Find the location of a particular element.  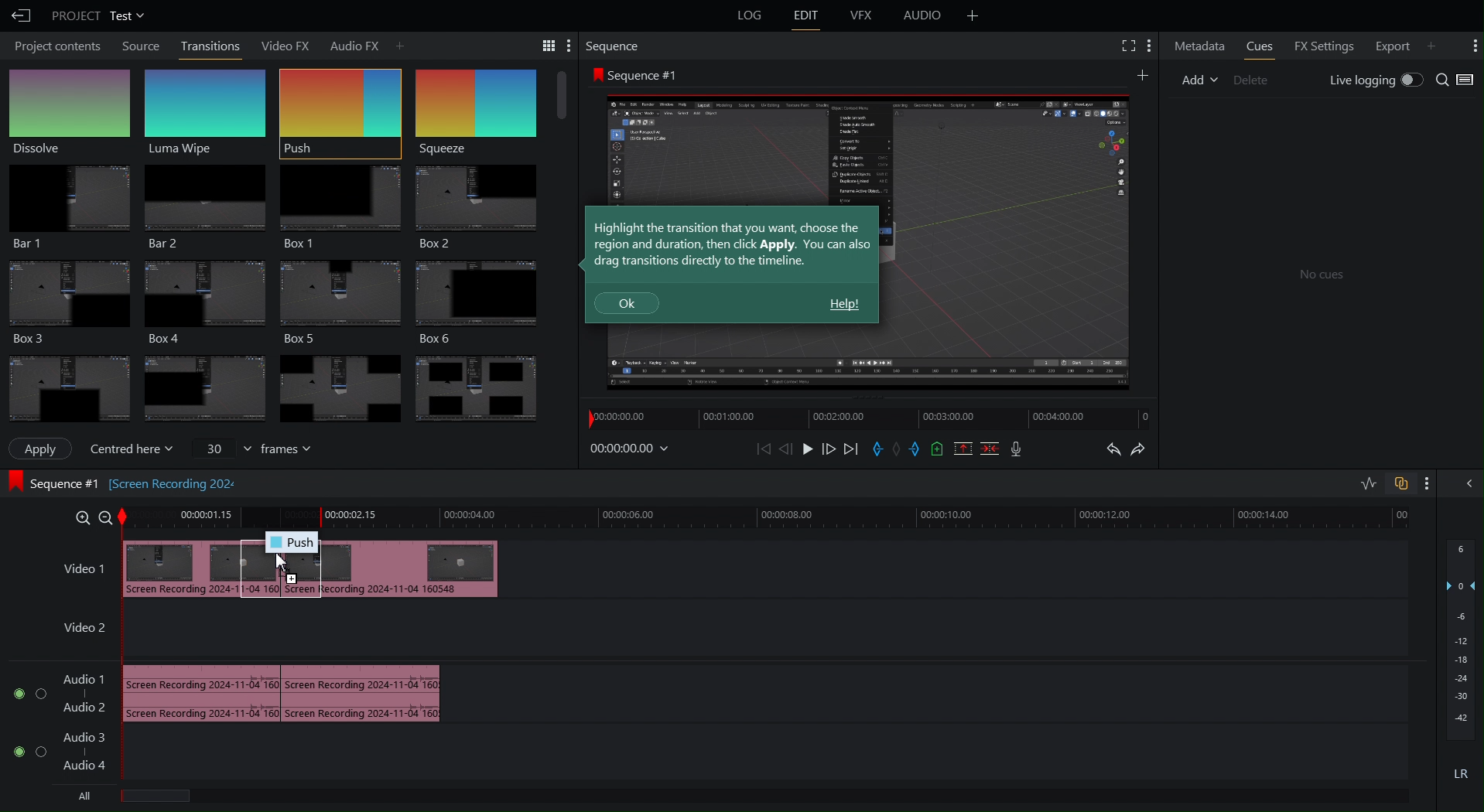

Video 1 is located at coordinates (82, 569).